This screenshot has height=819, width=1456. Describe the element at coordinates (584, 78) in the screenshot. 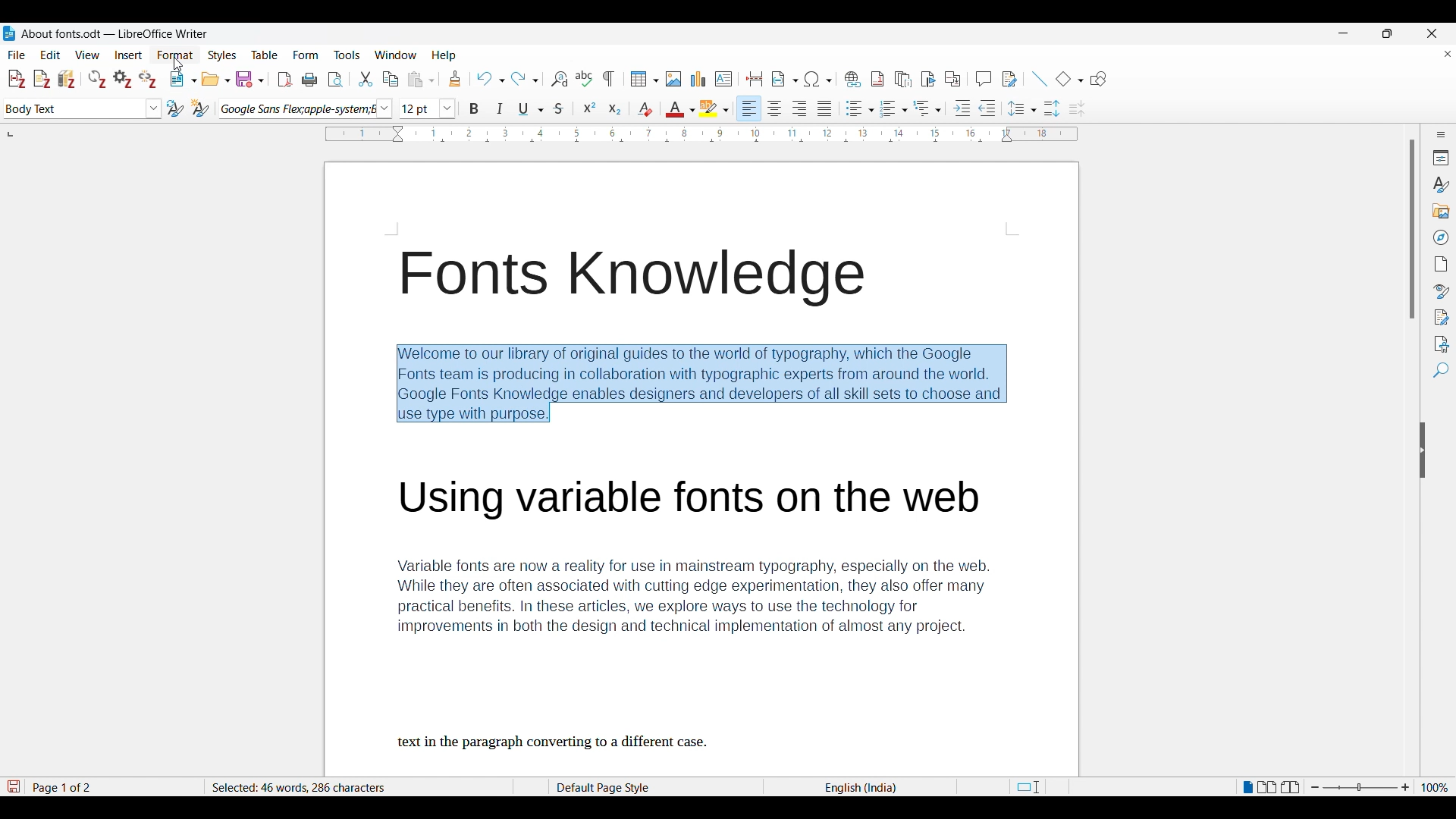

I see `Spell check` at that location.